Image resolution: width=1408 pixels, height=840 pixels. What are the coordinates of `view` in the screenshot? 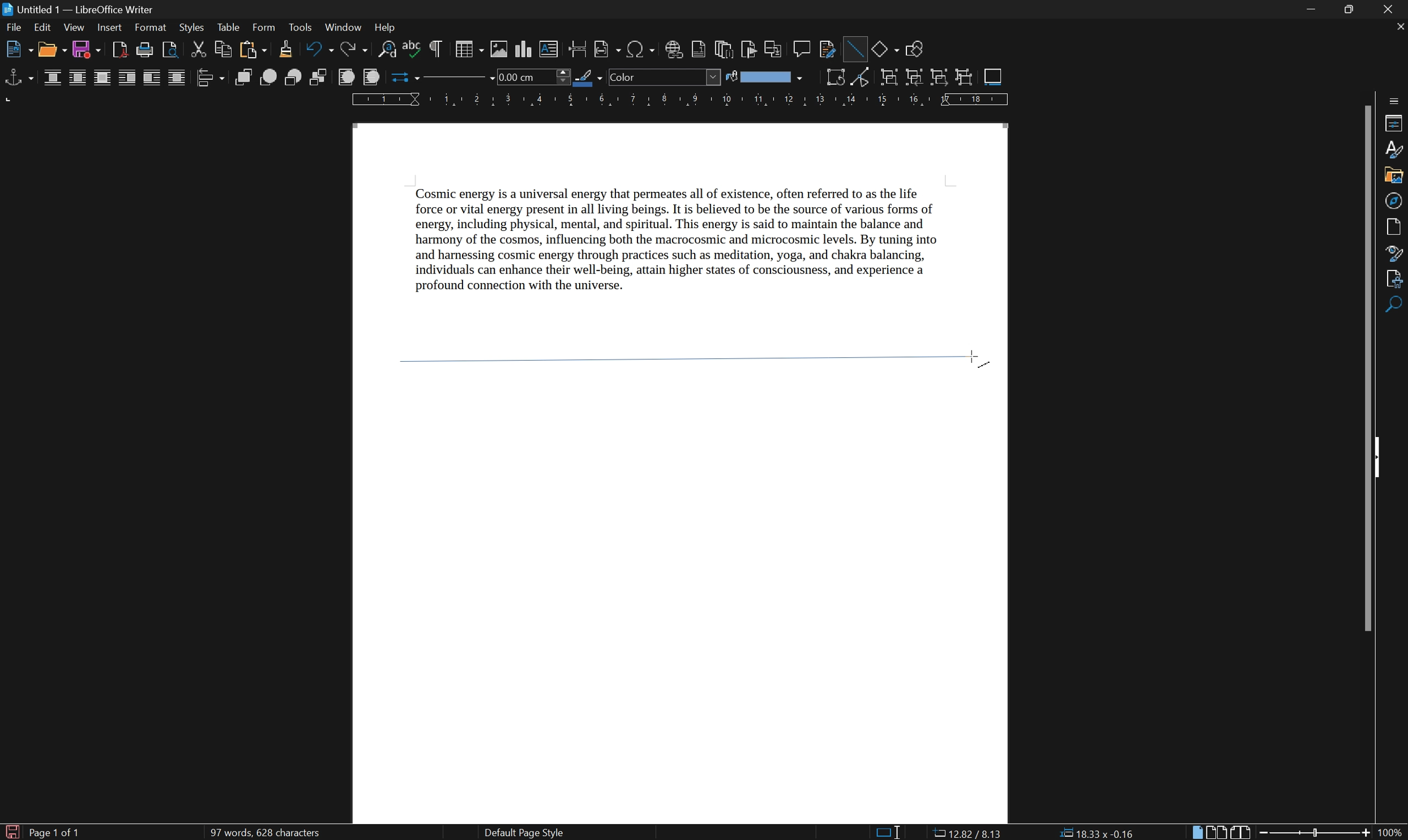 It's located at (74, 28).